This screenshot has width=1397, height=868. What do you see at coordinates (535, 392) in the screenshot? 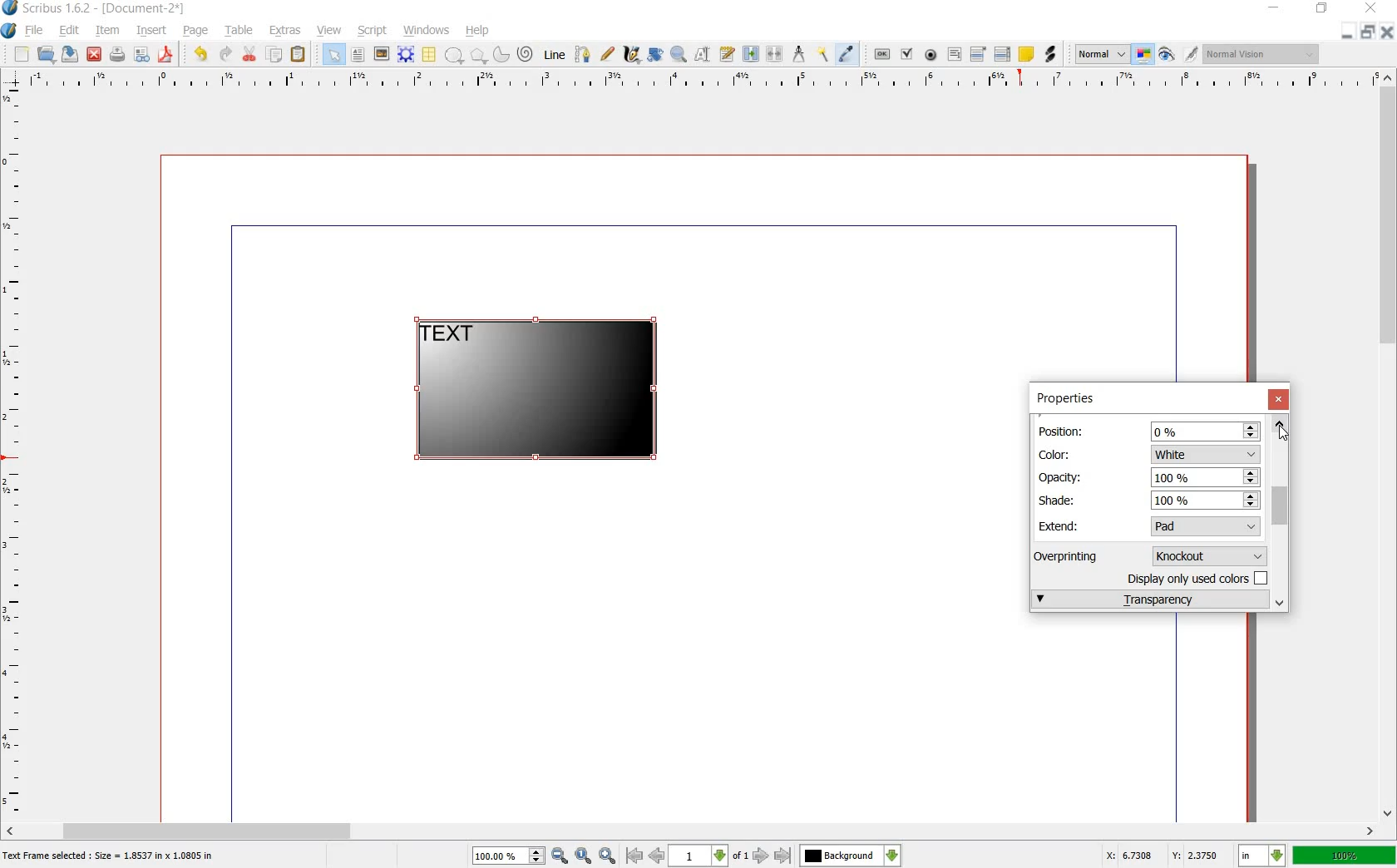
I see `creating glowing effect` at bounding box center [535, 392].